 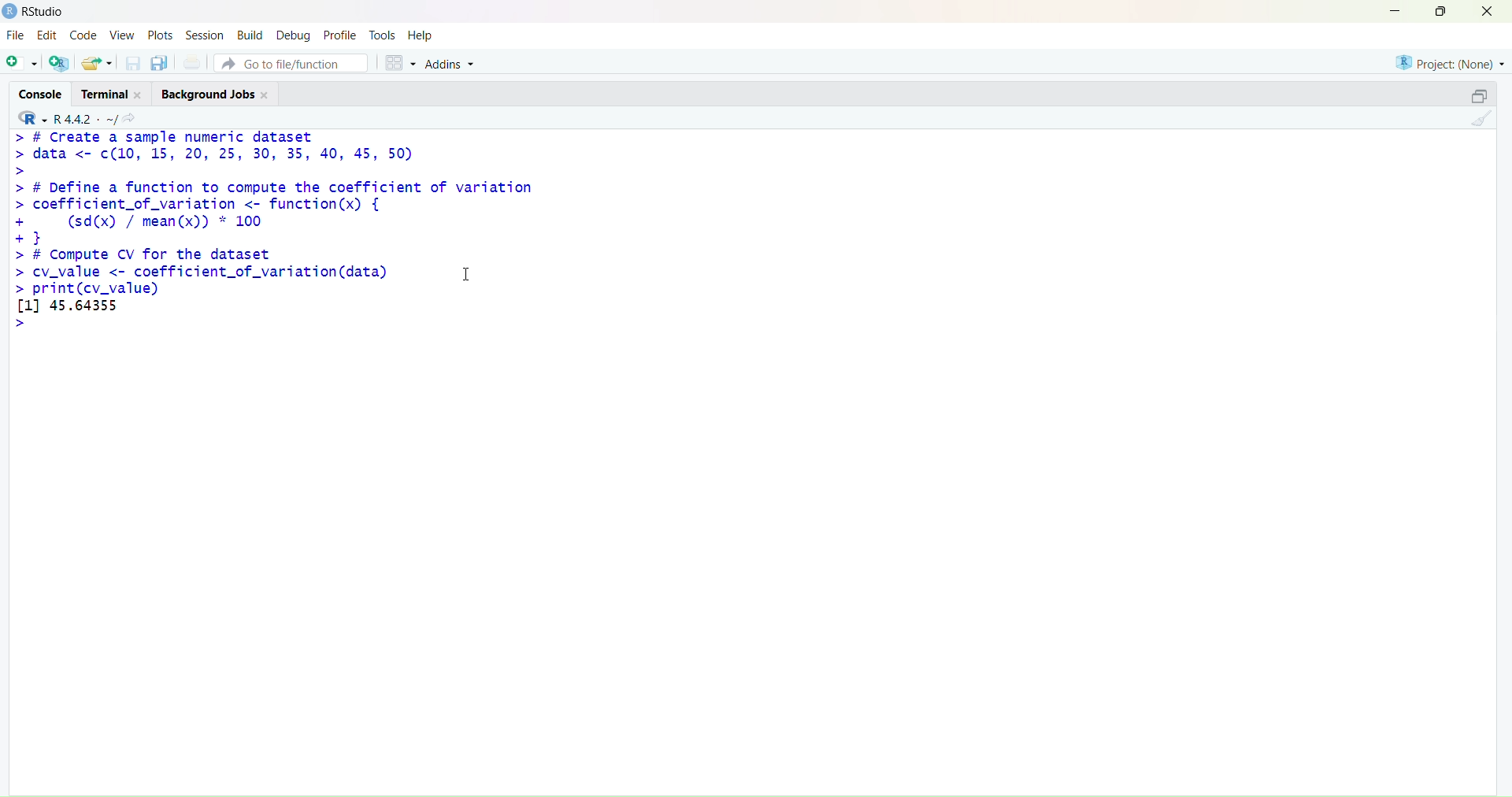 I want to click on code, so click(x=83, y=35).